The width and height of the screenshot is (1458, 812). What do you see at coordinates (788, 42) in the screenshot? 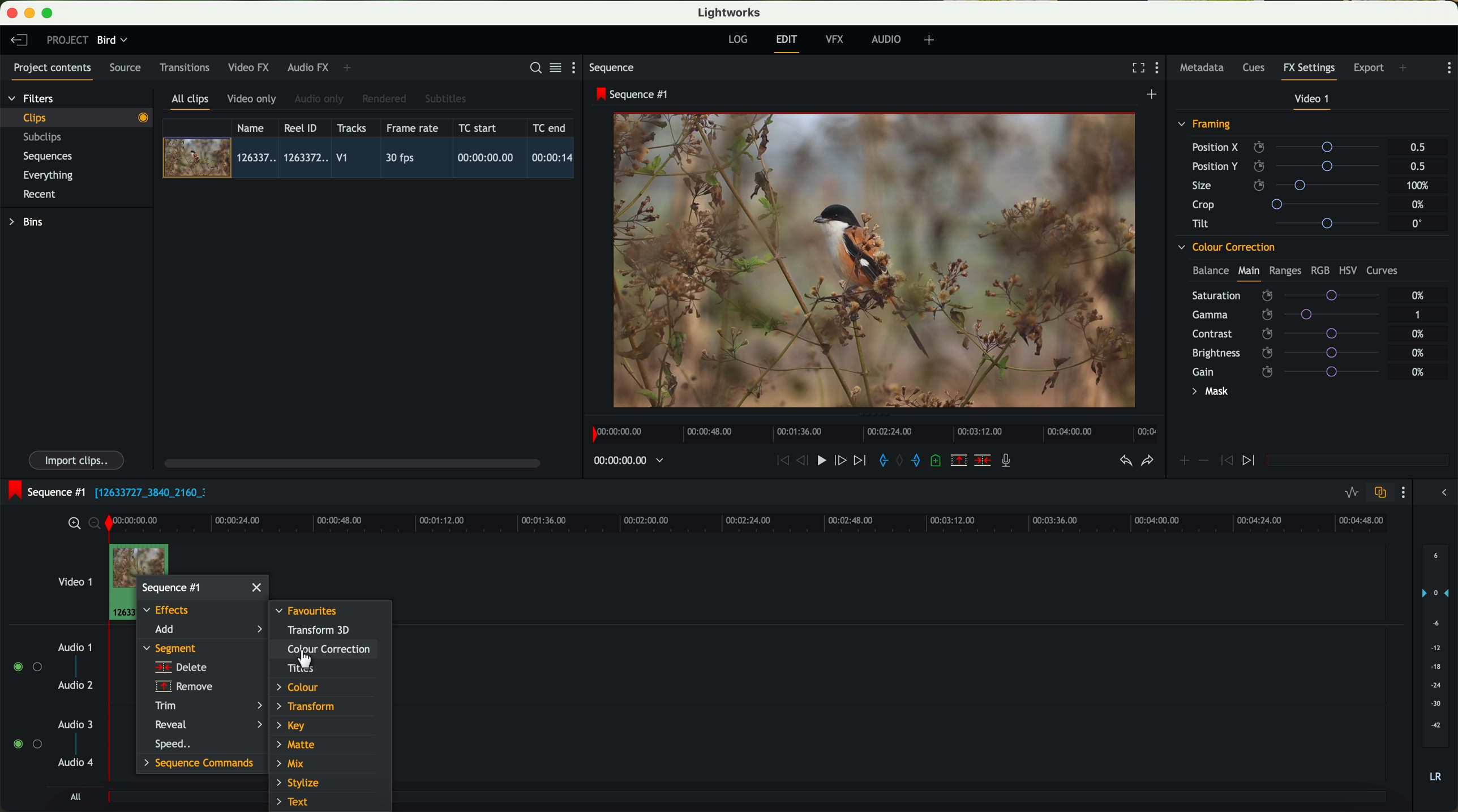
I see `edit` at bounding box center [788, 42].